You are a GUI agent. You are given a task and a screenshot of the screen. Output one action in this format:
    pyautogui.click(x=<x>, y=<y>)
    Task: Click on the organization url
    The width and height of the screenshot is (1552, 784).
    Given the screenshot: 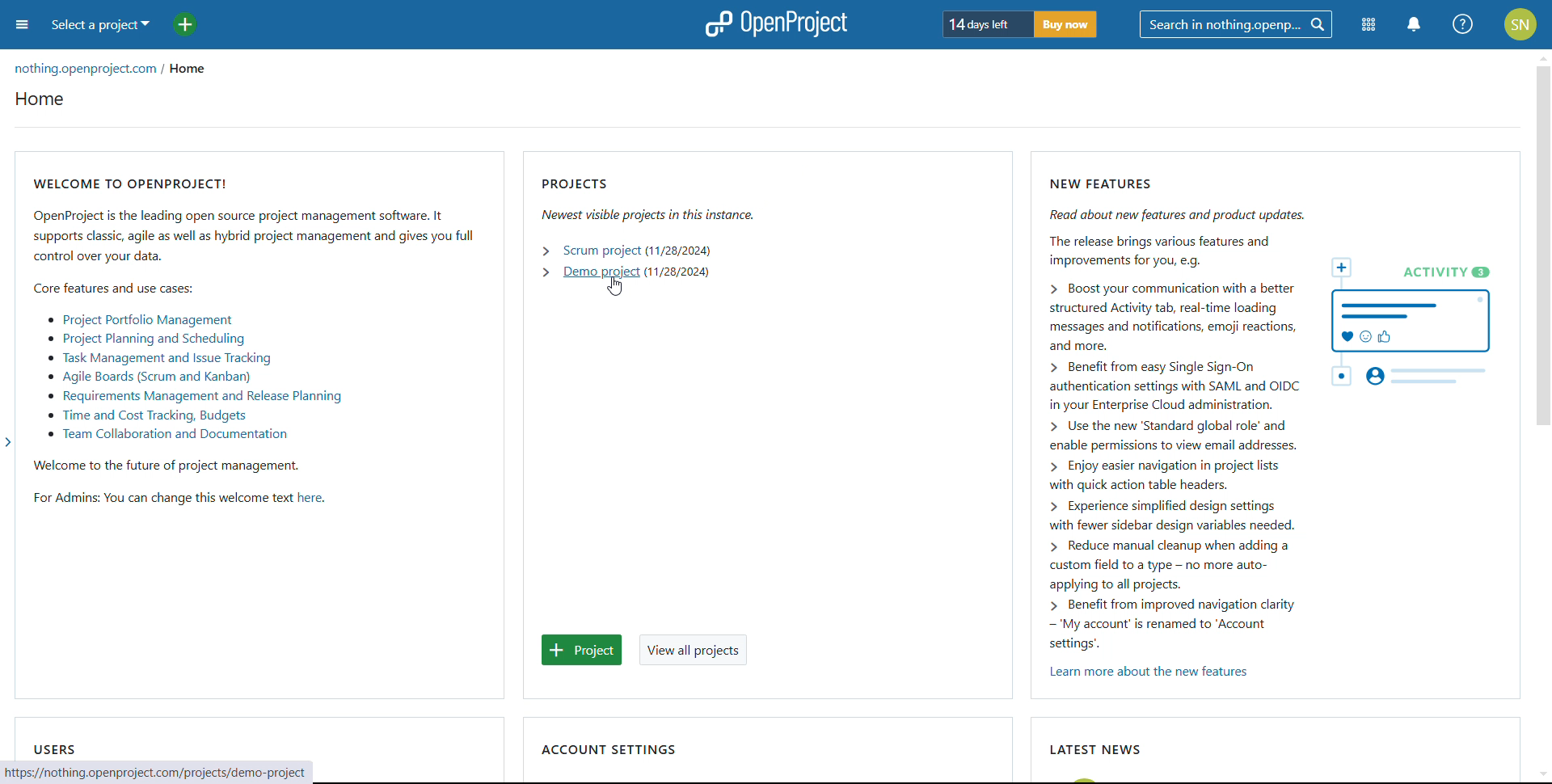 What is the action you would take?
    pyautogui.click(x=83, y=69)
    